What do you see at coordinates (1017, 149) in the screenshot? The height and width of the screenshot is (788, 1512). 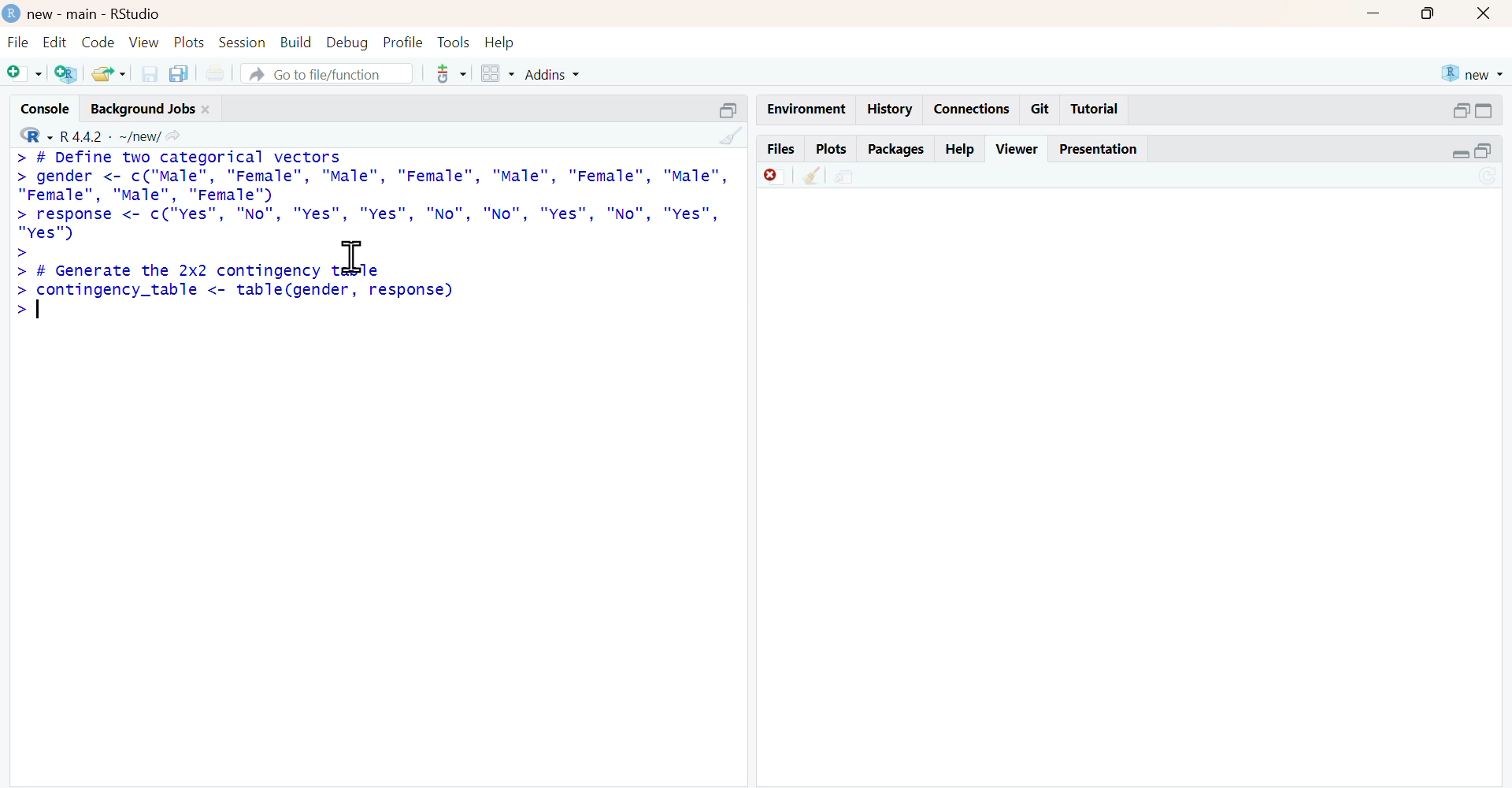 I see `viewer` at bounding box center [1017, 149].